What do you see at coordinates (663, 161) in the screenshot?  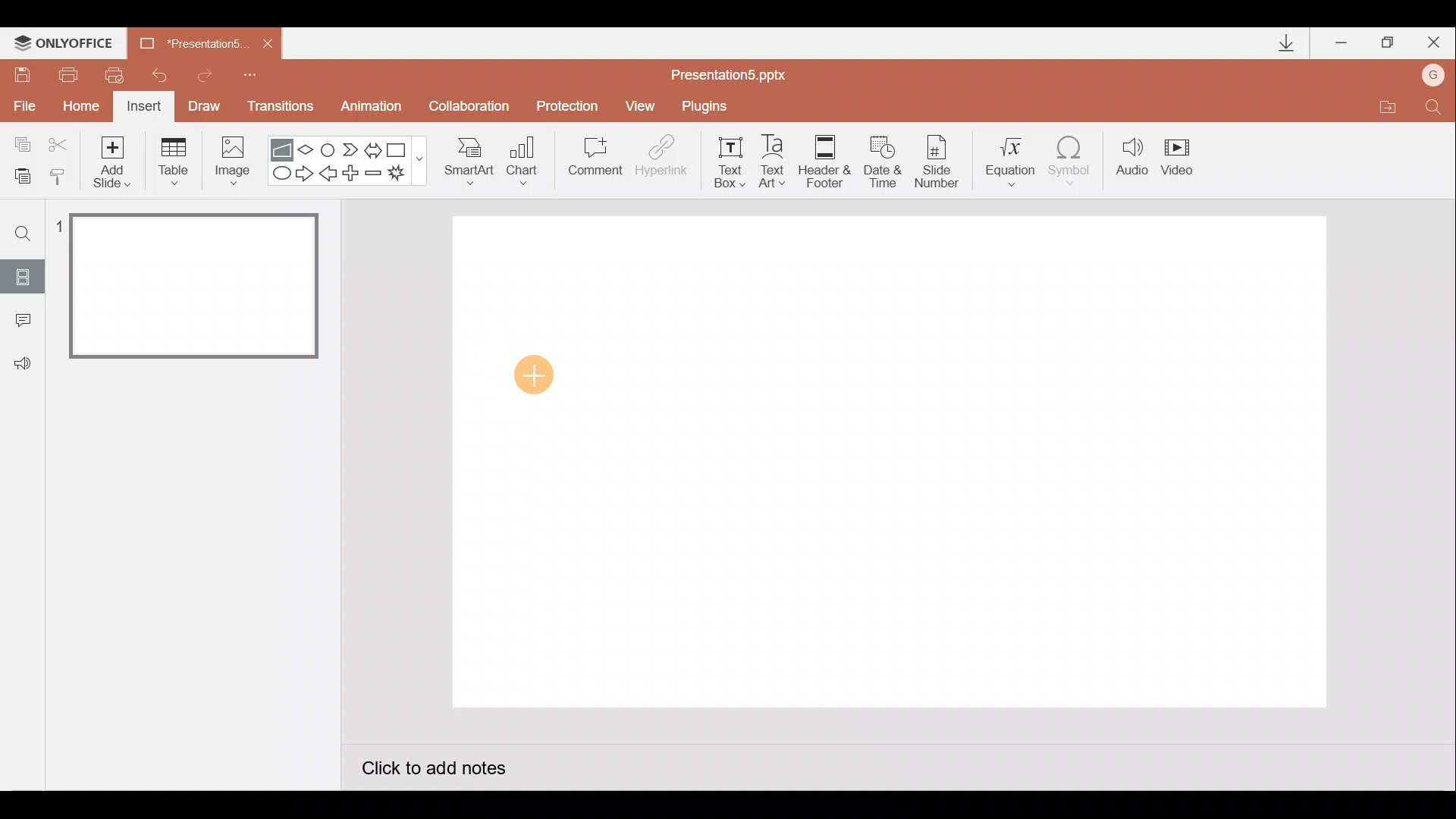 I see `Hyperlink` at bounding box center [663, 161].